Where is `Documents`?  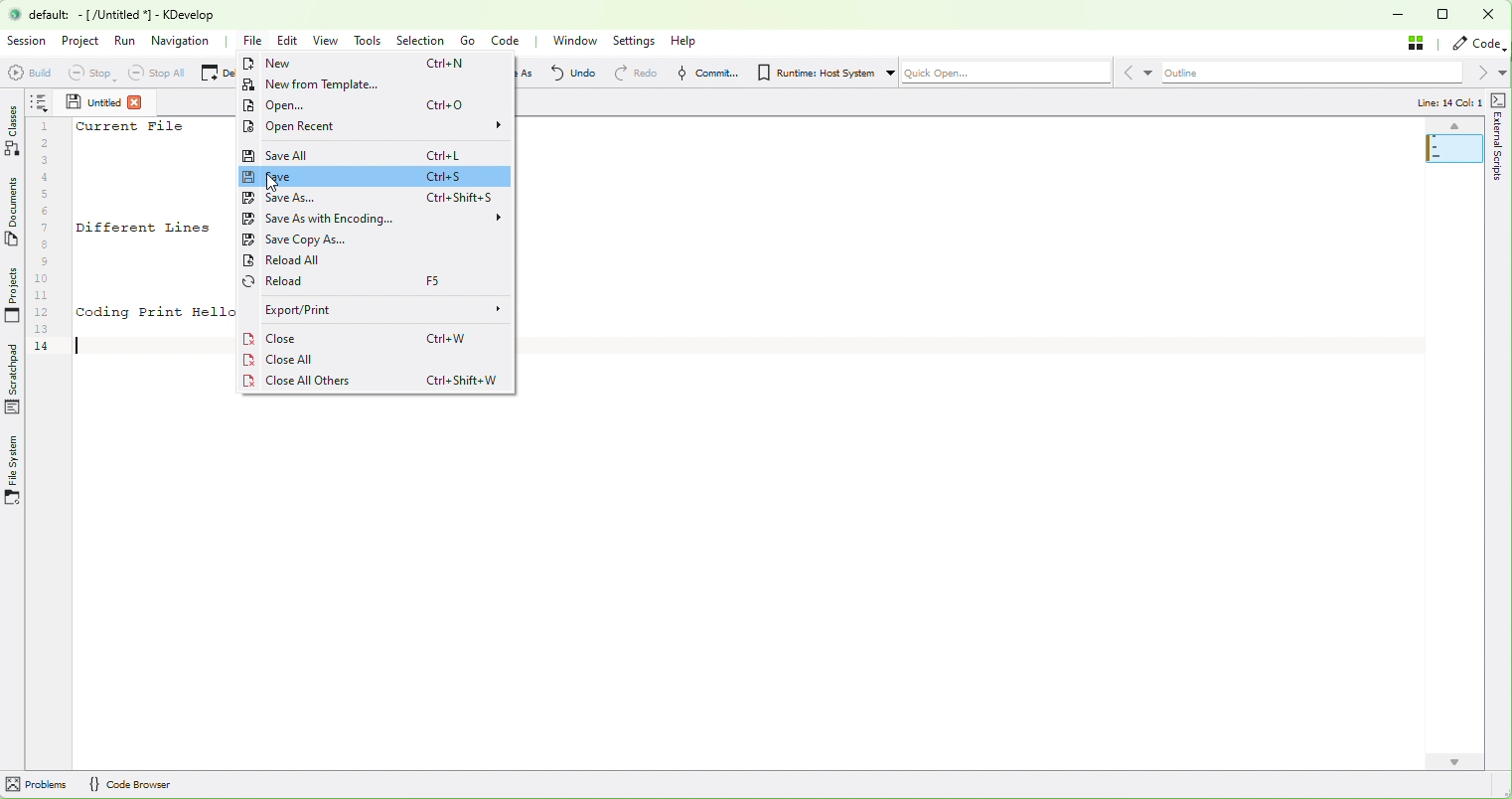 Documents is located at coordinates (13, 219).